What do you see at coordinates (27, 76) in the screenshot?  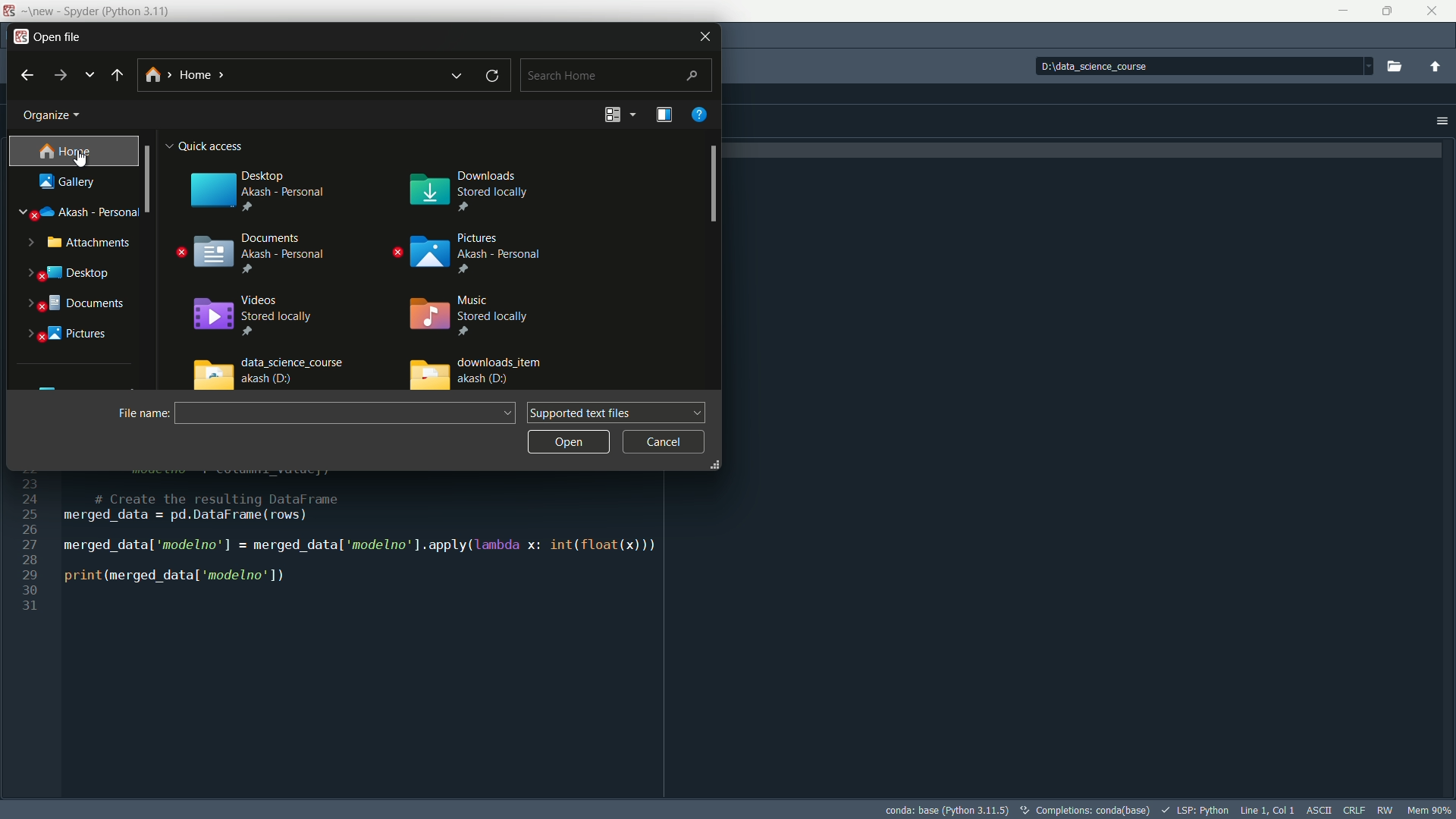 I see `back` at bounding box center [27, 76].